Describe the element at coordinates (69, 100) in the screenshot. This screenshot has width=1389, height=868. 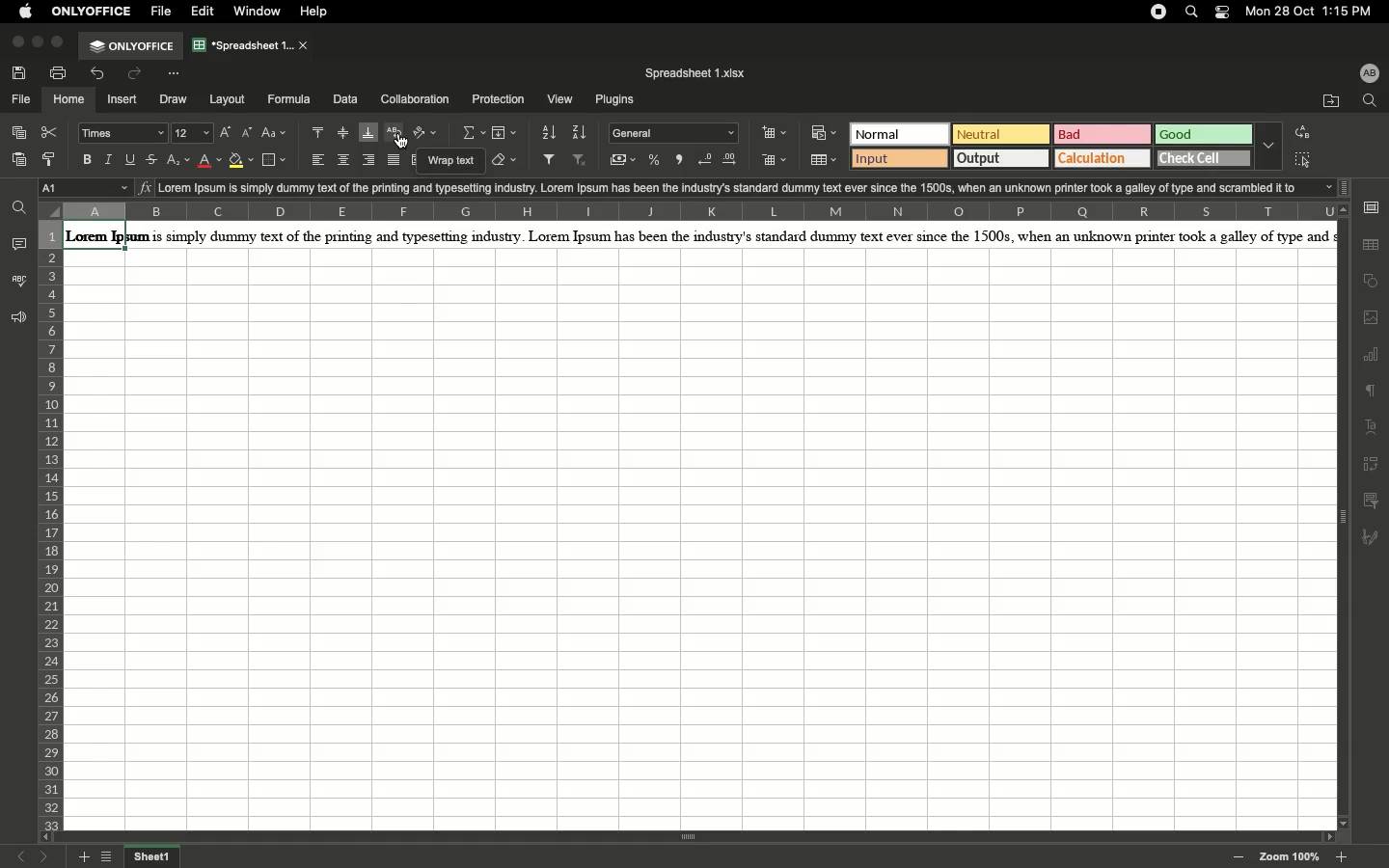
I see `Home` at that location.